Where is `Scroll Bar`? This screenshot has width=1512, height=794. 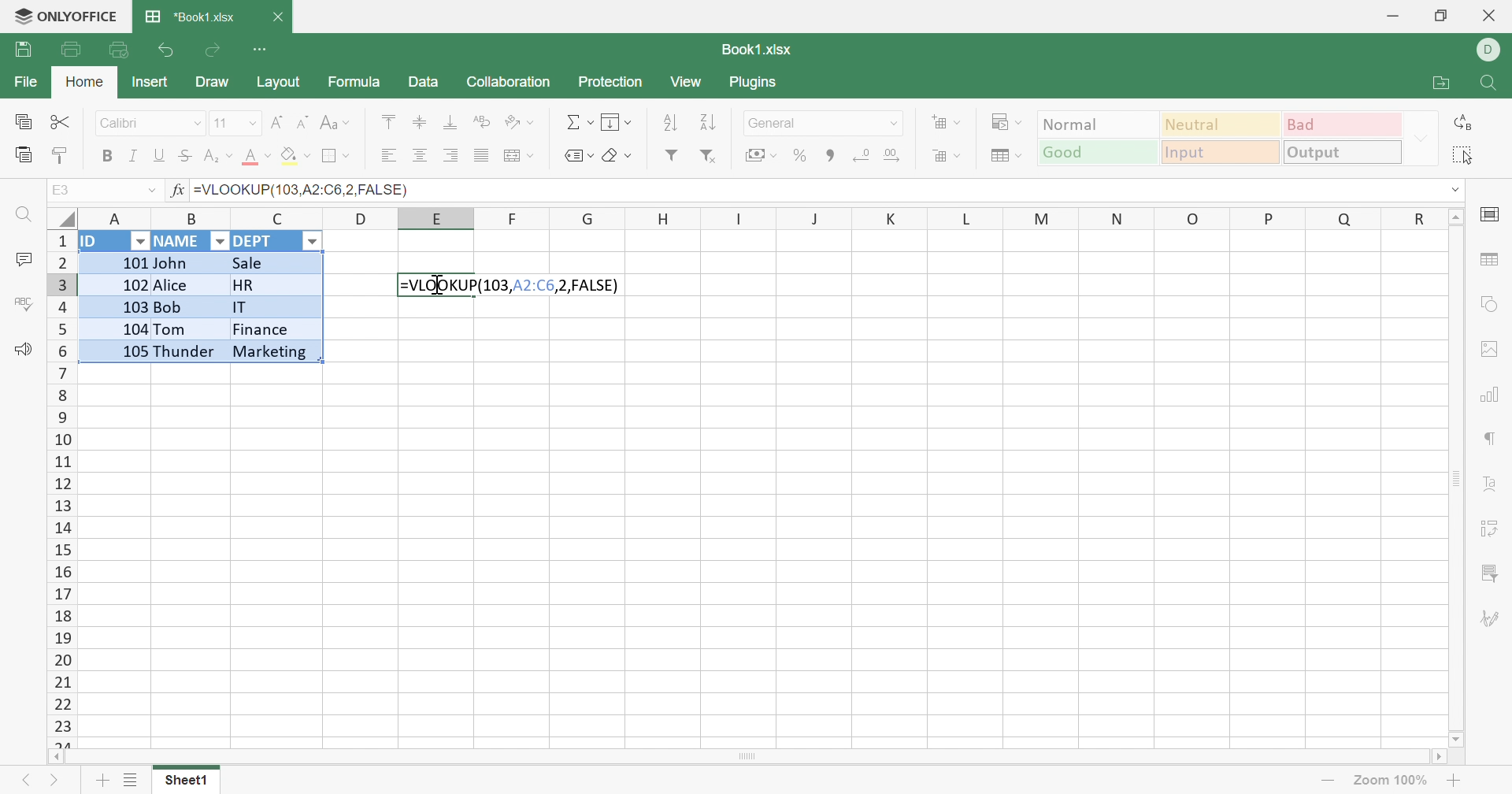 Scroll Bar is located at coordinates (1456, 477).